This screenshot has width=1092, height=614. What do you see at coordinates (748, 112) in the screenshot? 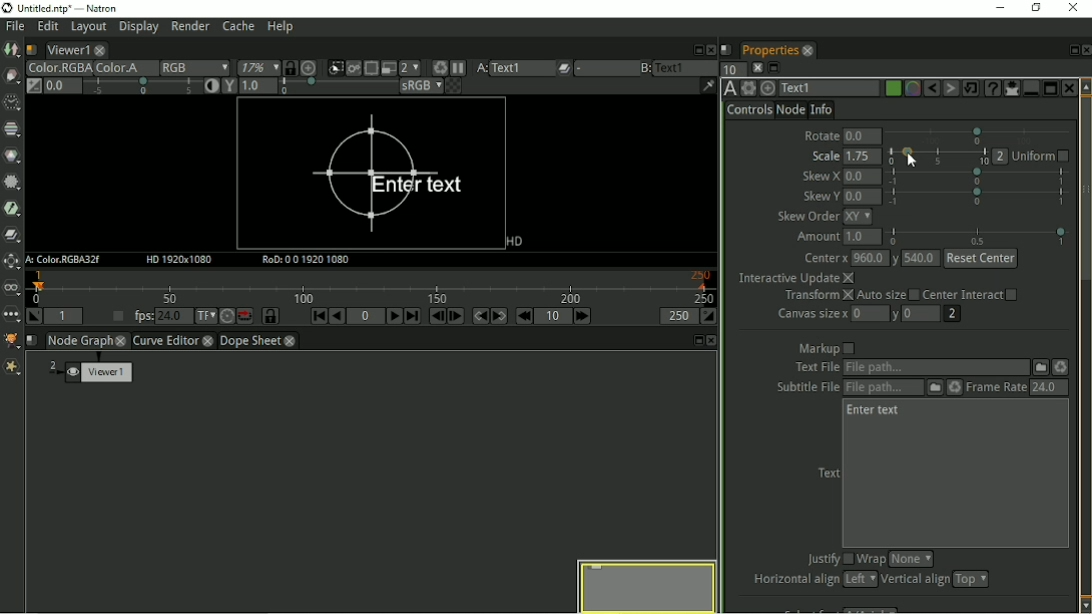
I see `Controls` at bounding box center [748, 112].